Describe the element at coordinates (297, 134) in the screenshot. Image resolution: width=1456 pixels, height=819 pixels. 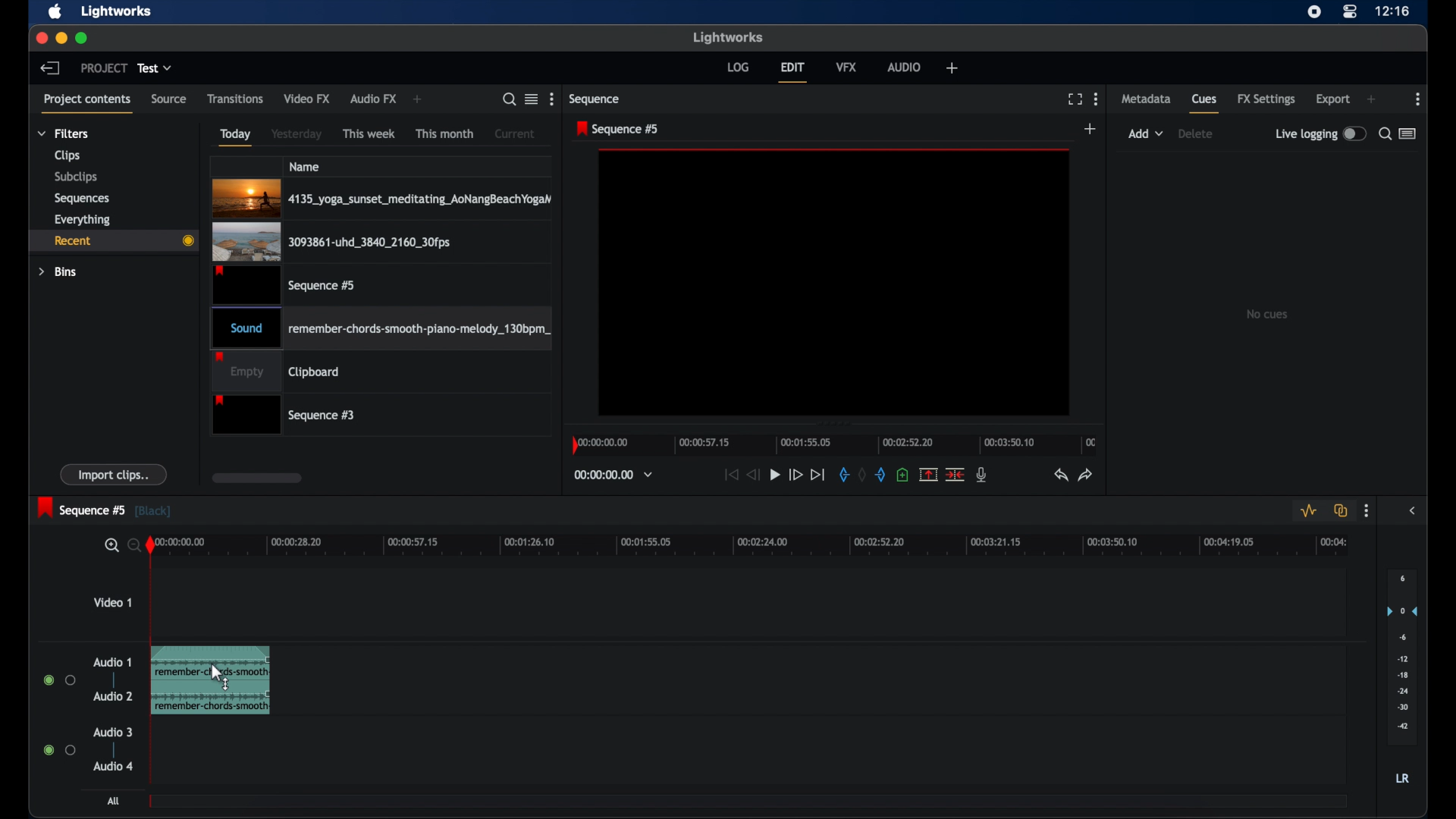
I see `yesterday` at that location.